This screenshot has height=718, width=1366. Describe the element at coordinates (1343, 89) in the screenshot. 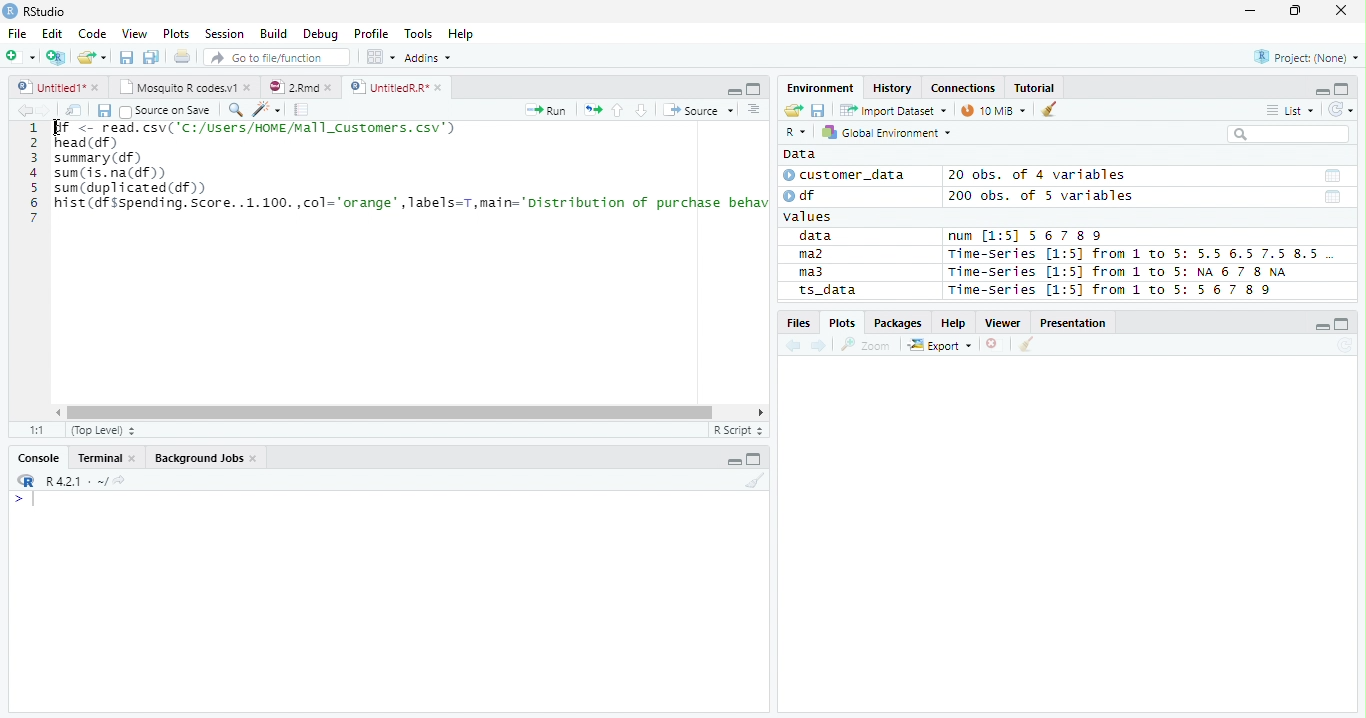

I see `Maximize` at that location.